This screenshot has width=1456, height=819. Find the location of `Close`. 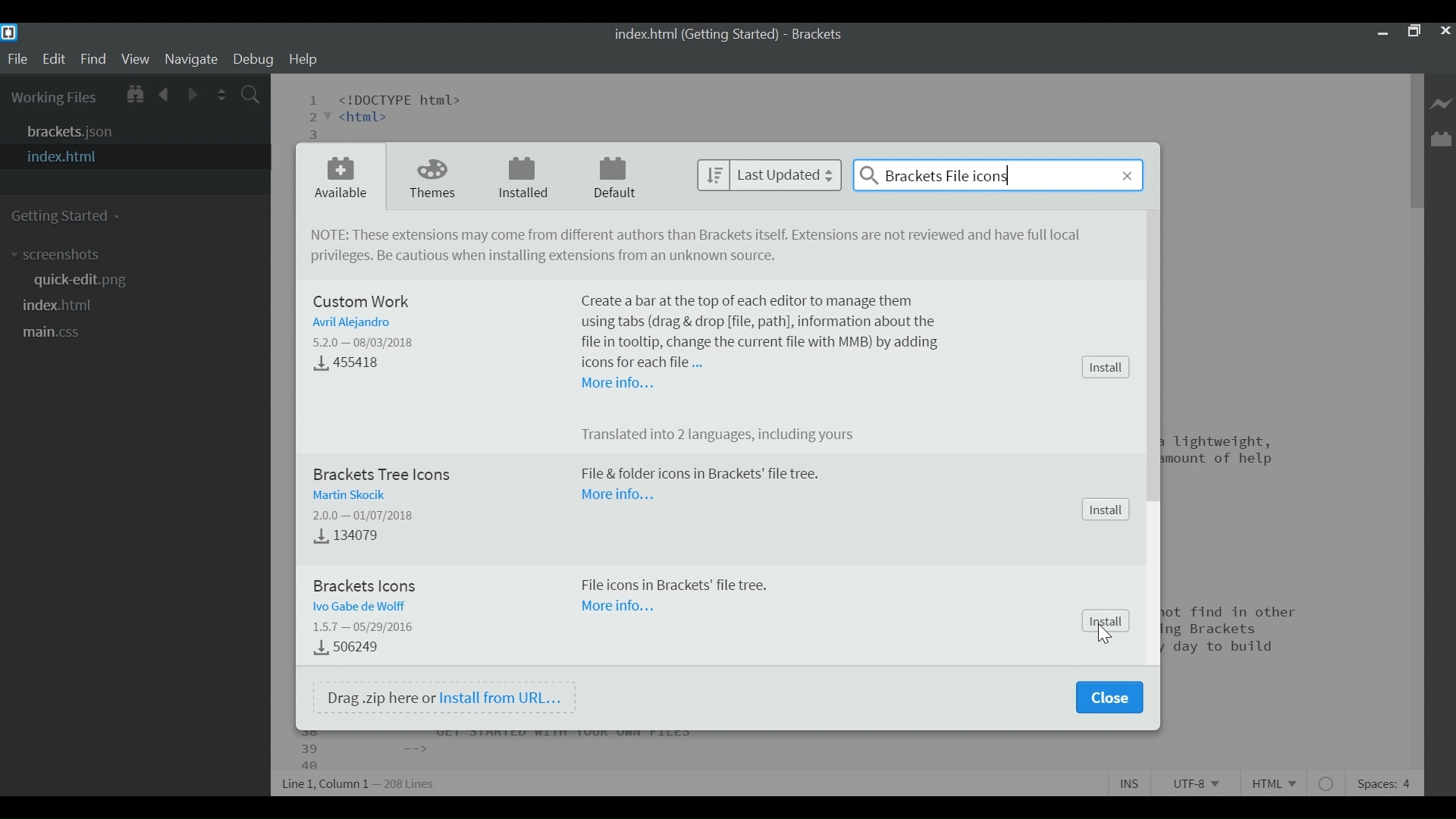

Close is located at coordinates (1109, 698).